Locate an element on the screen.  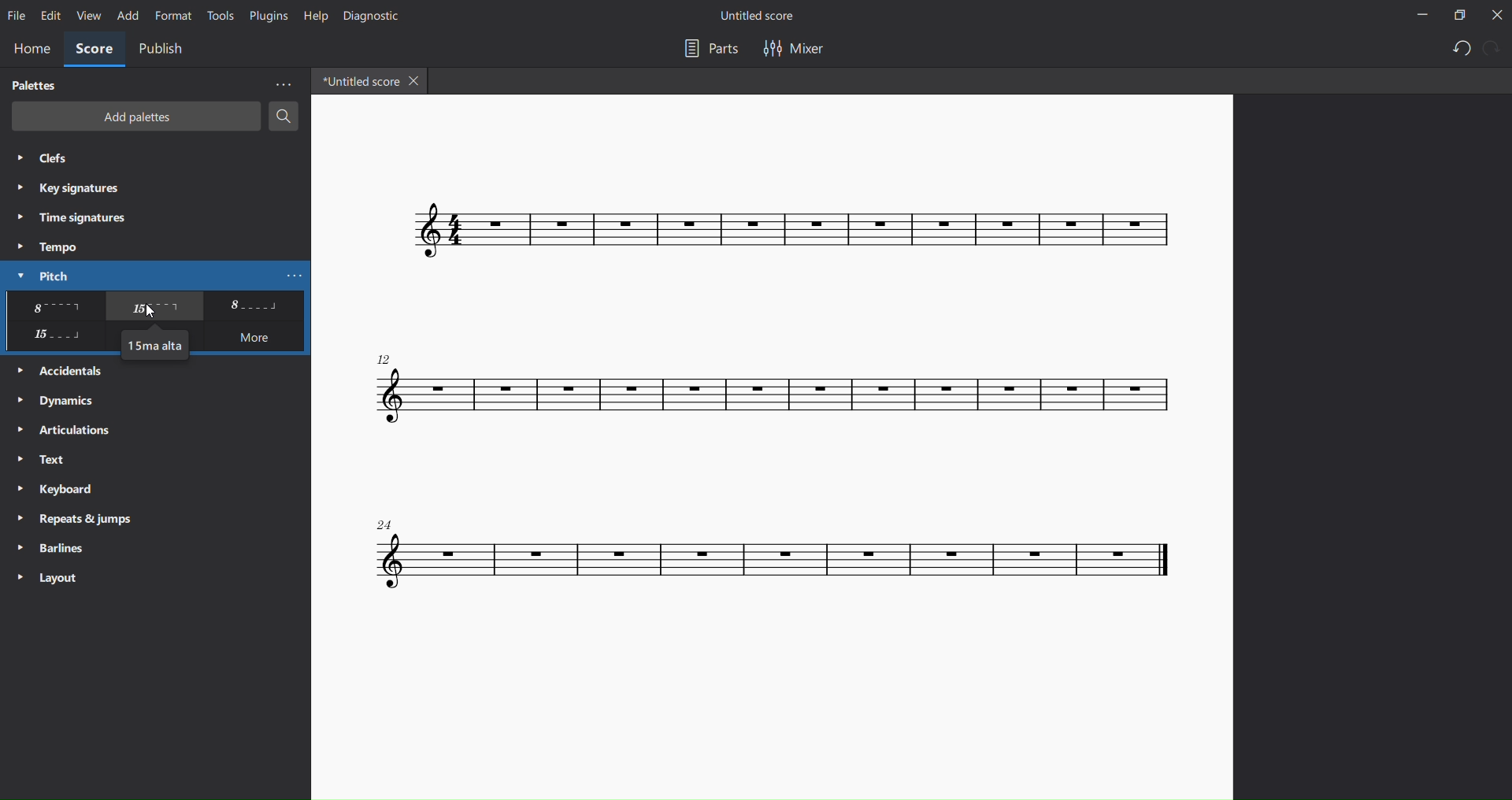
file is located at coordinates (18, 14).